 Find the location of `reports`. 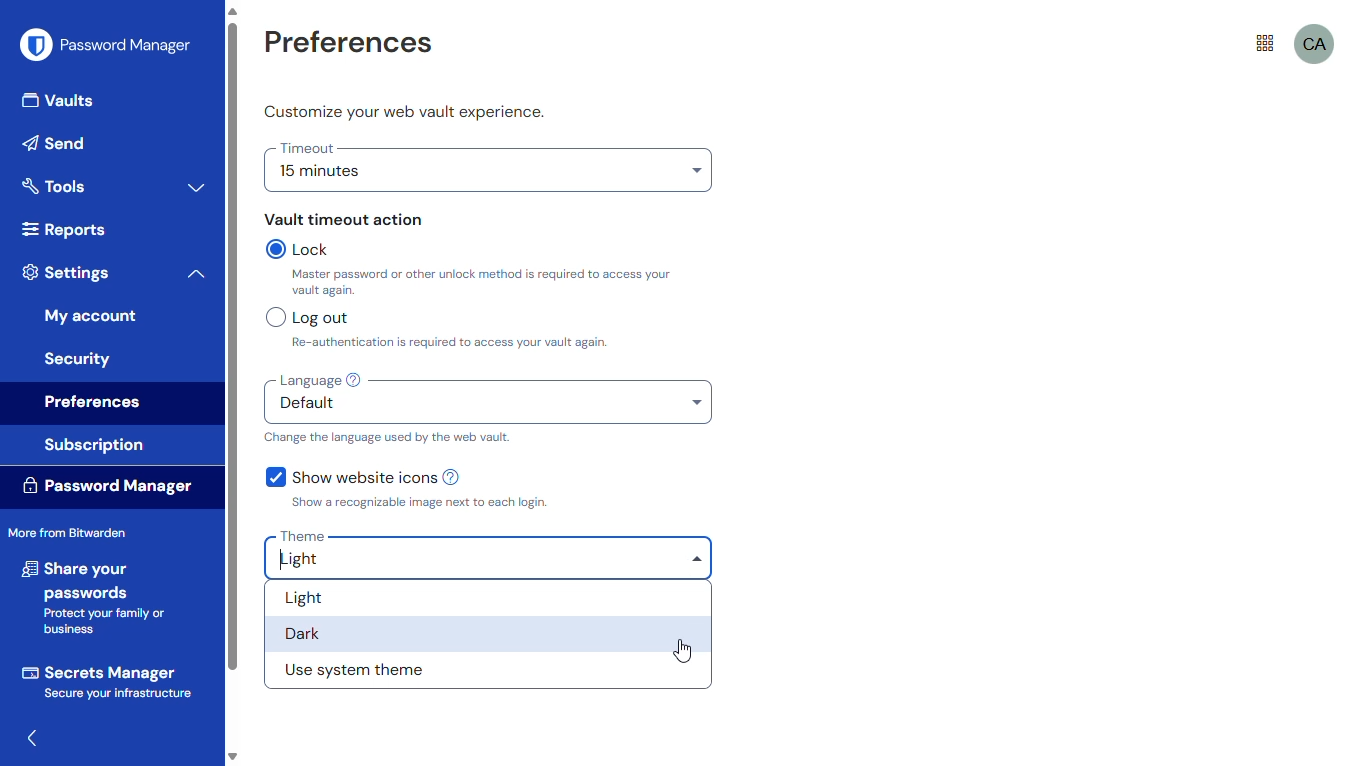

reports is located at coordinates (62, 229).